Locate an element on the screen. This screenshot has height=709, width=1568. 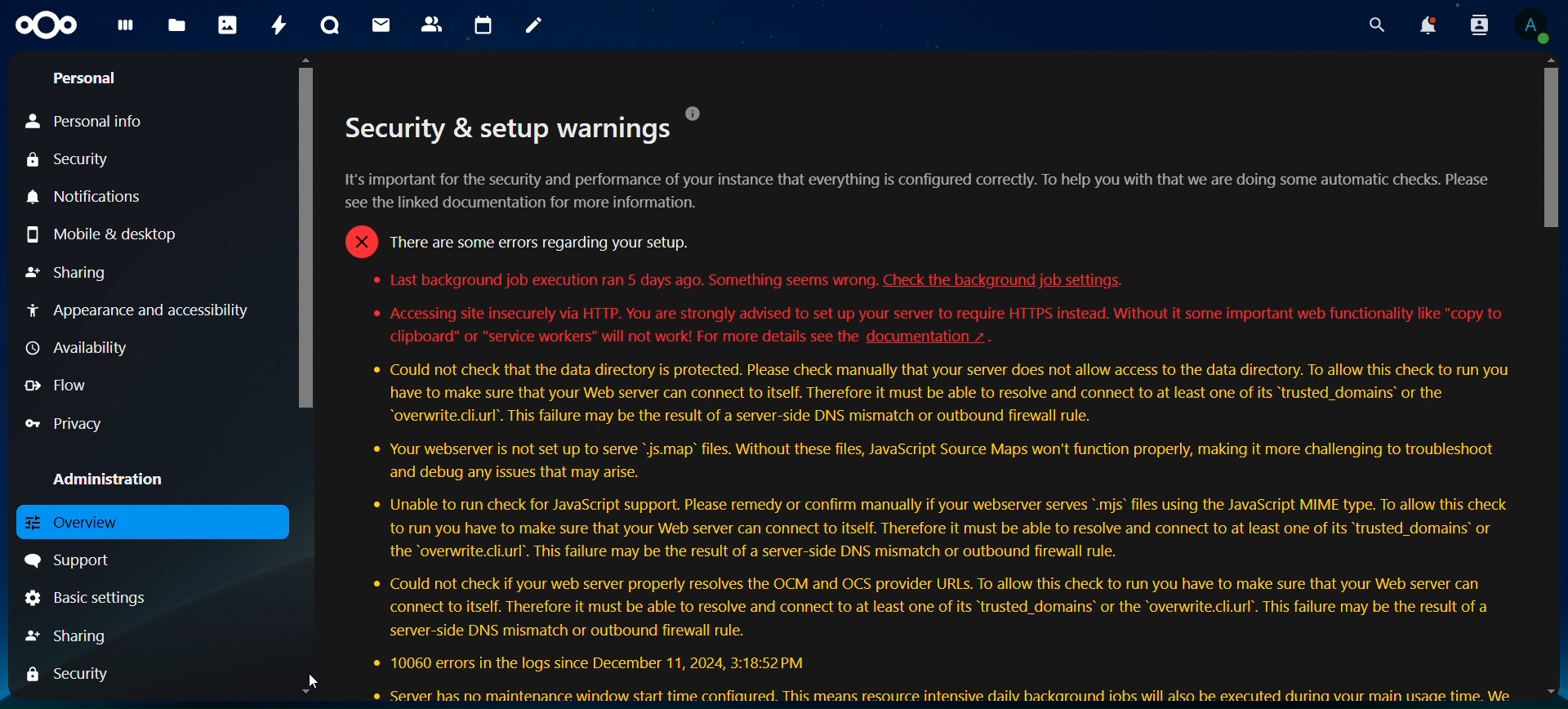
contacts is located at coordinates (432, 25).